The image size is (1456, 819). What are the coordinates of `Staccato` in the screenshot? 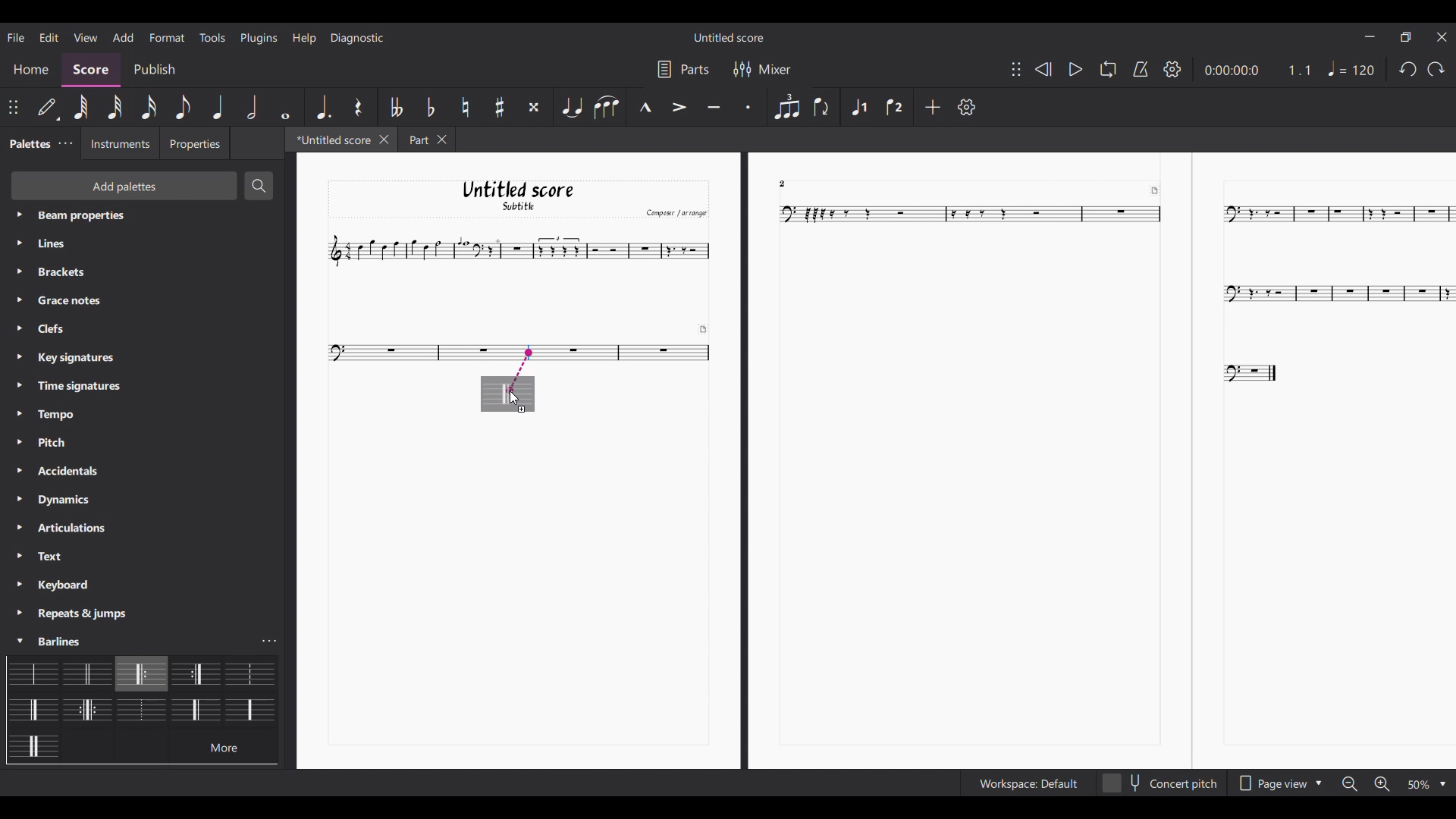 It's located at (748, 108).